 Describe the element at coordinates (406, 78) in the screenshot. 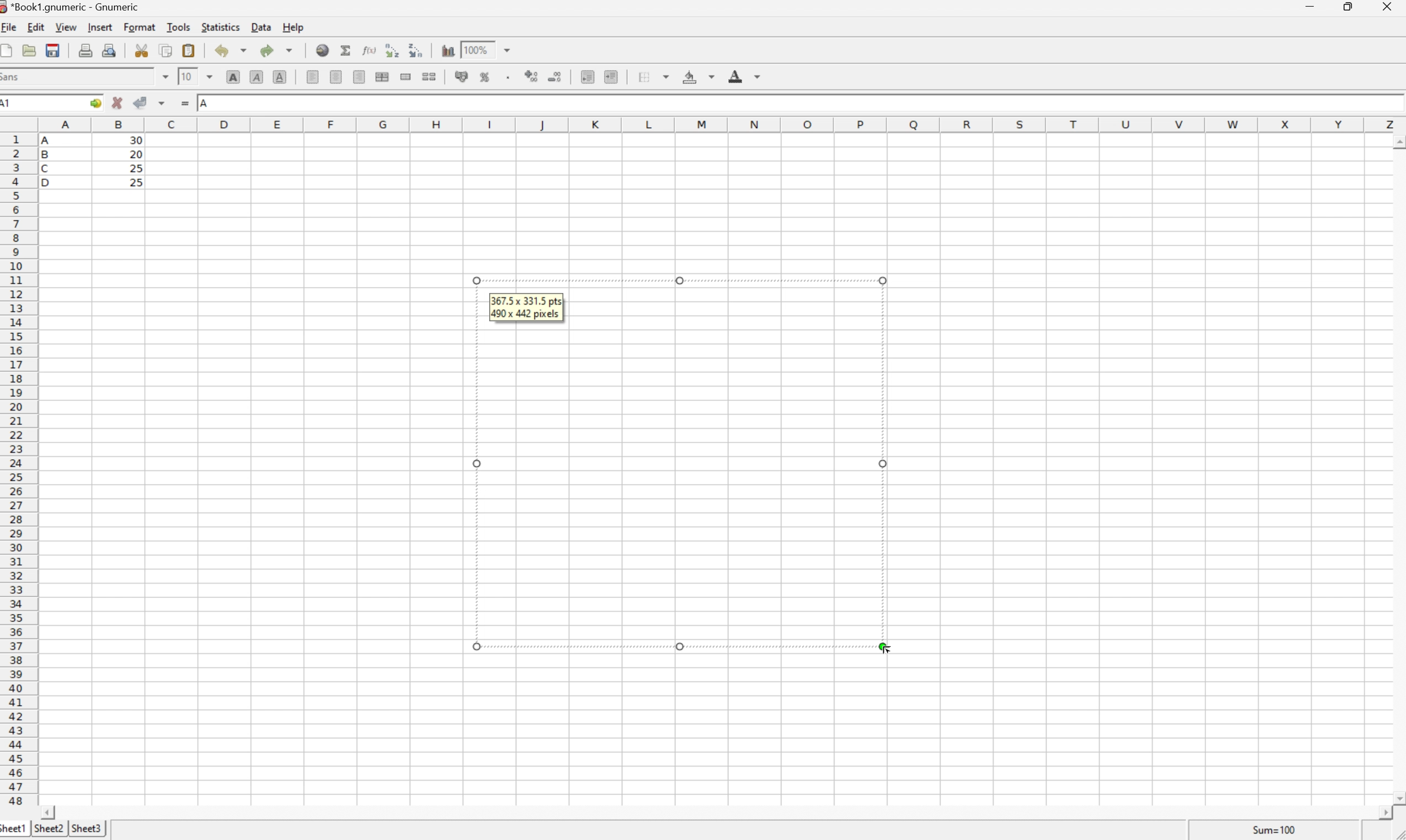

I see `Merge a range of cells` at that location.